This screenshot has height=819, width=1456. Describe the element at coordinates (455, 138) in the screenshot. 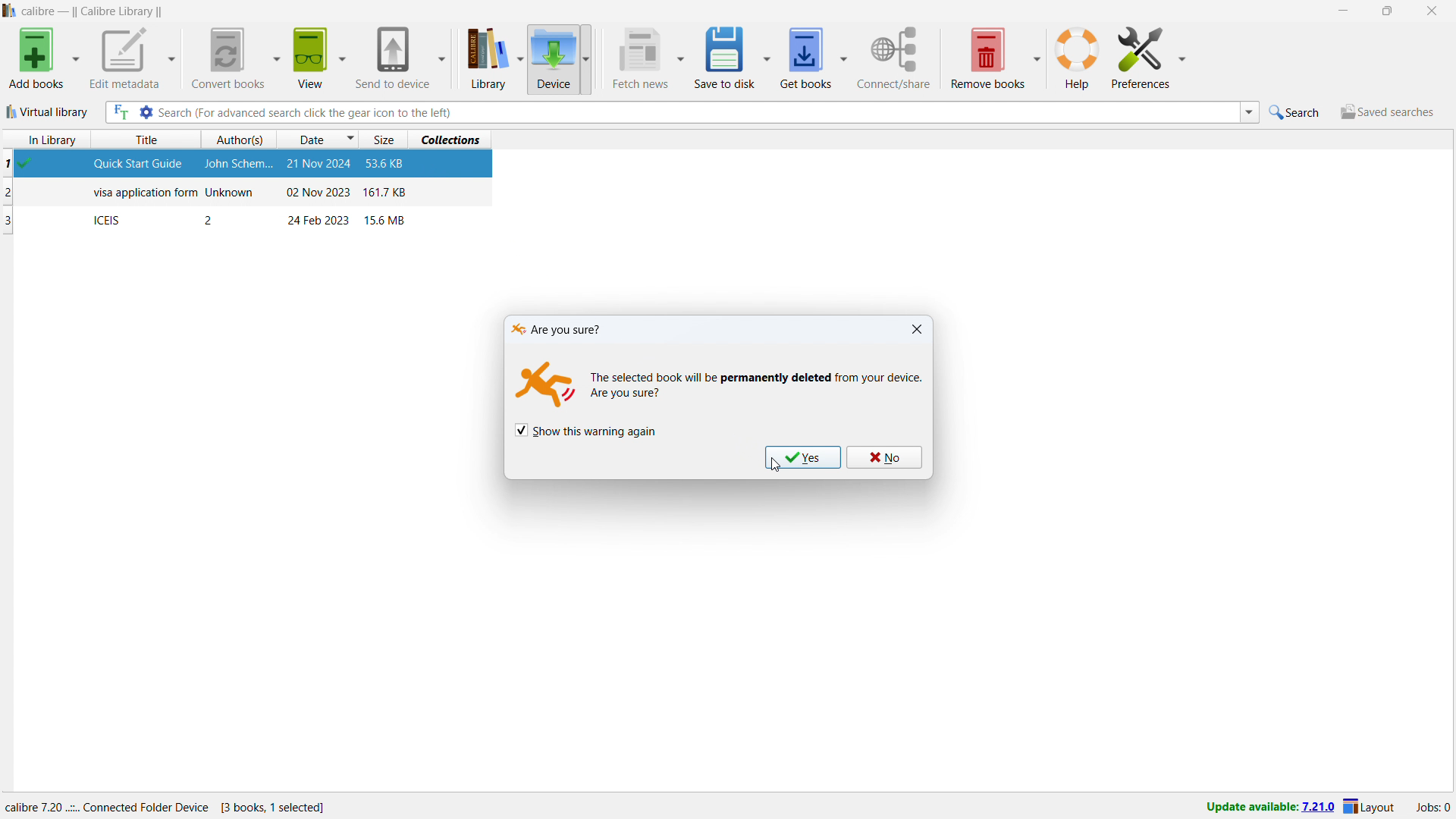

I see `sort by collections` at that location.